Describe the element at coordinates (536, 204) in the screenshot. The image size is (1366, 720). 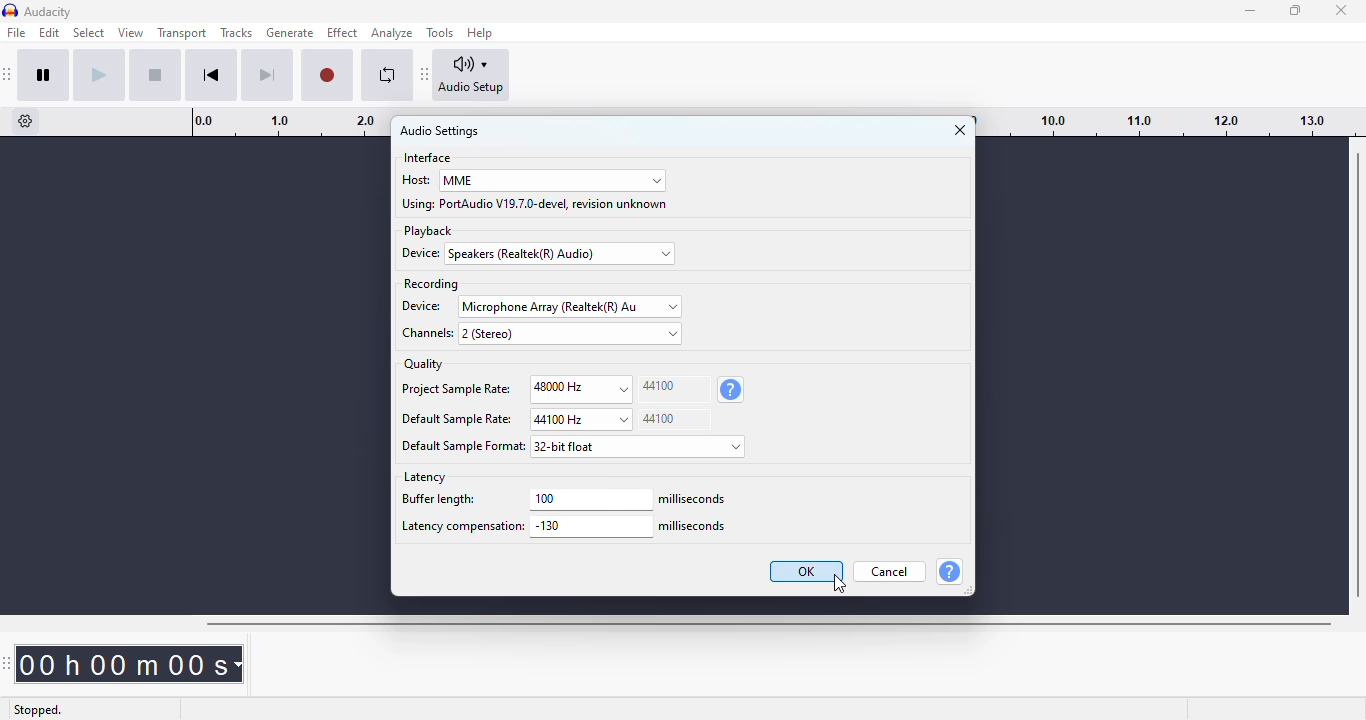
I see `Using: PortAudio V19.7.0-devel, revision unknown` at that location.